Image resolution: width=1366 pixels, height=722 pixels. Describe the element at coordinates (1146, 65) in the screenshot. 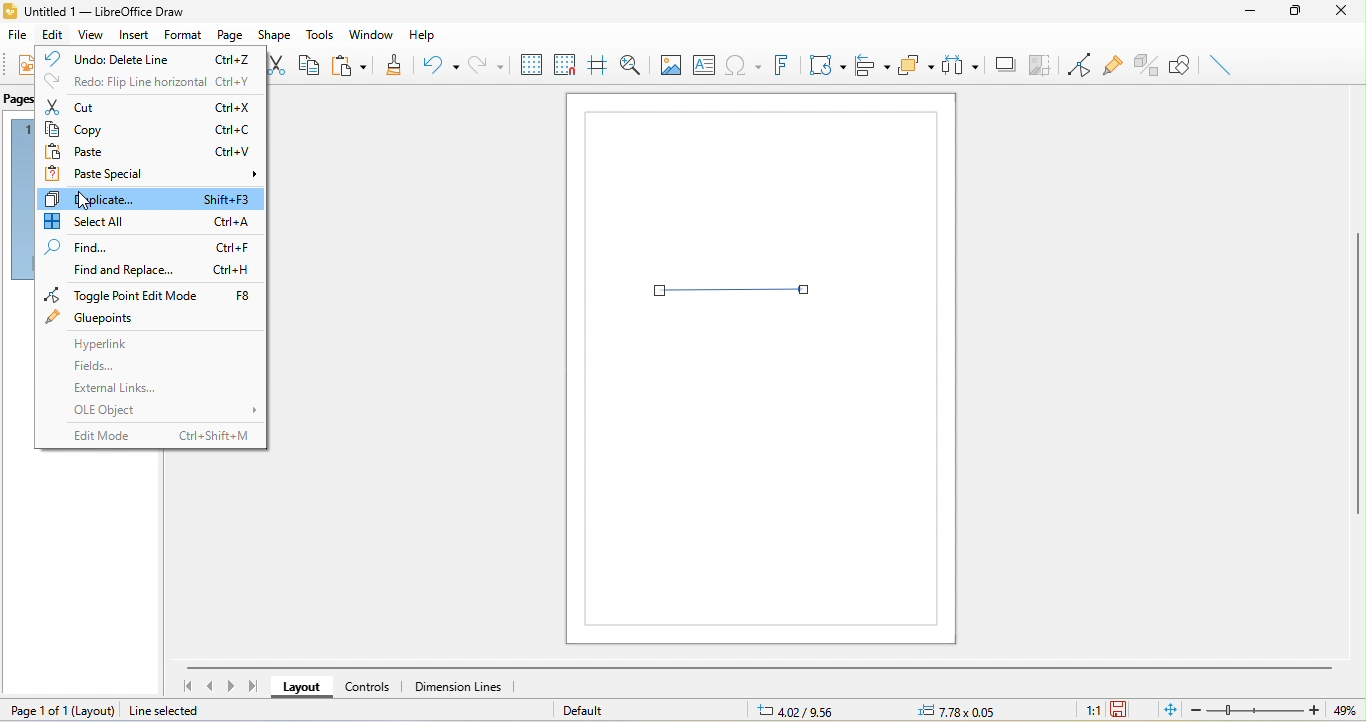

I see `toggle extrusion` at that location.